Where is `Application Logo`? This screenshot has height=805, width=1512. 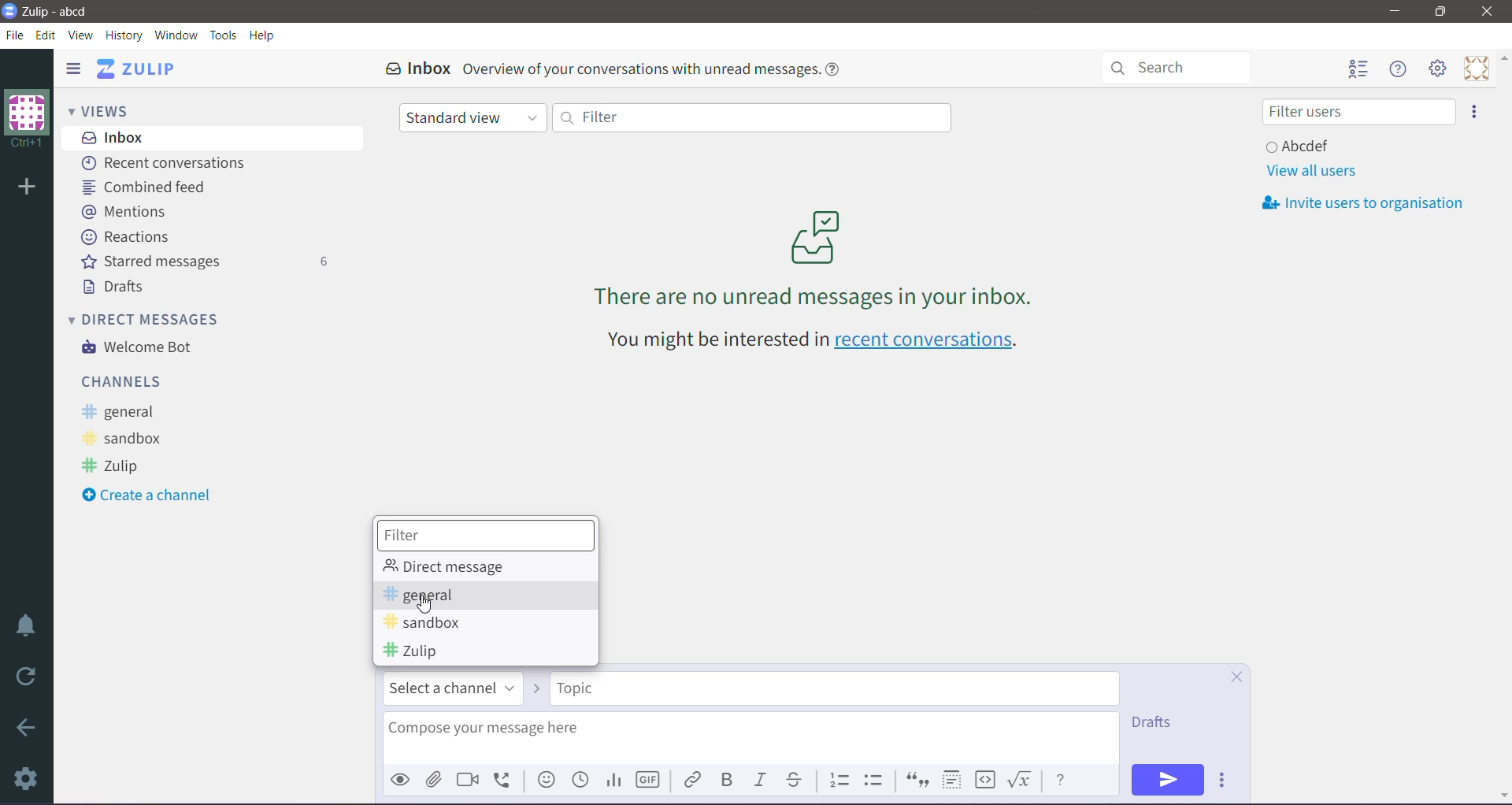 Application Logo is located at coordinates (9, 9).